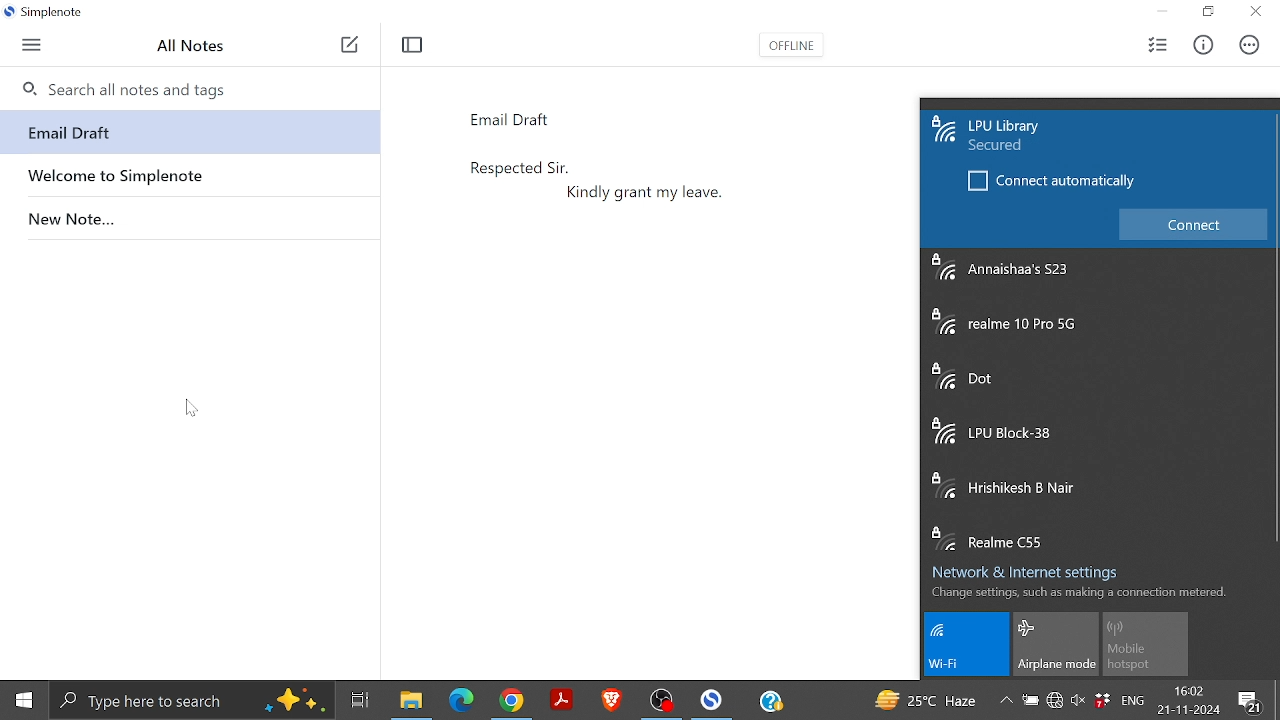 The height and width of the screenshot is (720, 1280). Describe the element at coordinates (664, 700) in the screenshot. I see `OBS studio` at that location.